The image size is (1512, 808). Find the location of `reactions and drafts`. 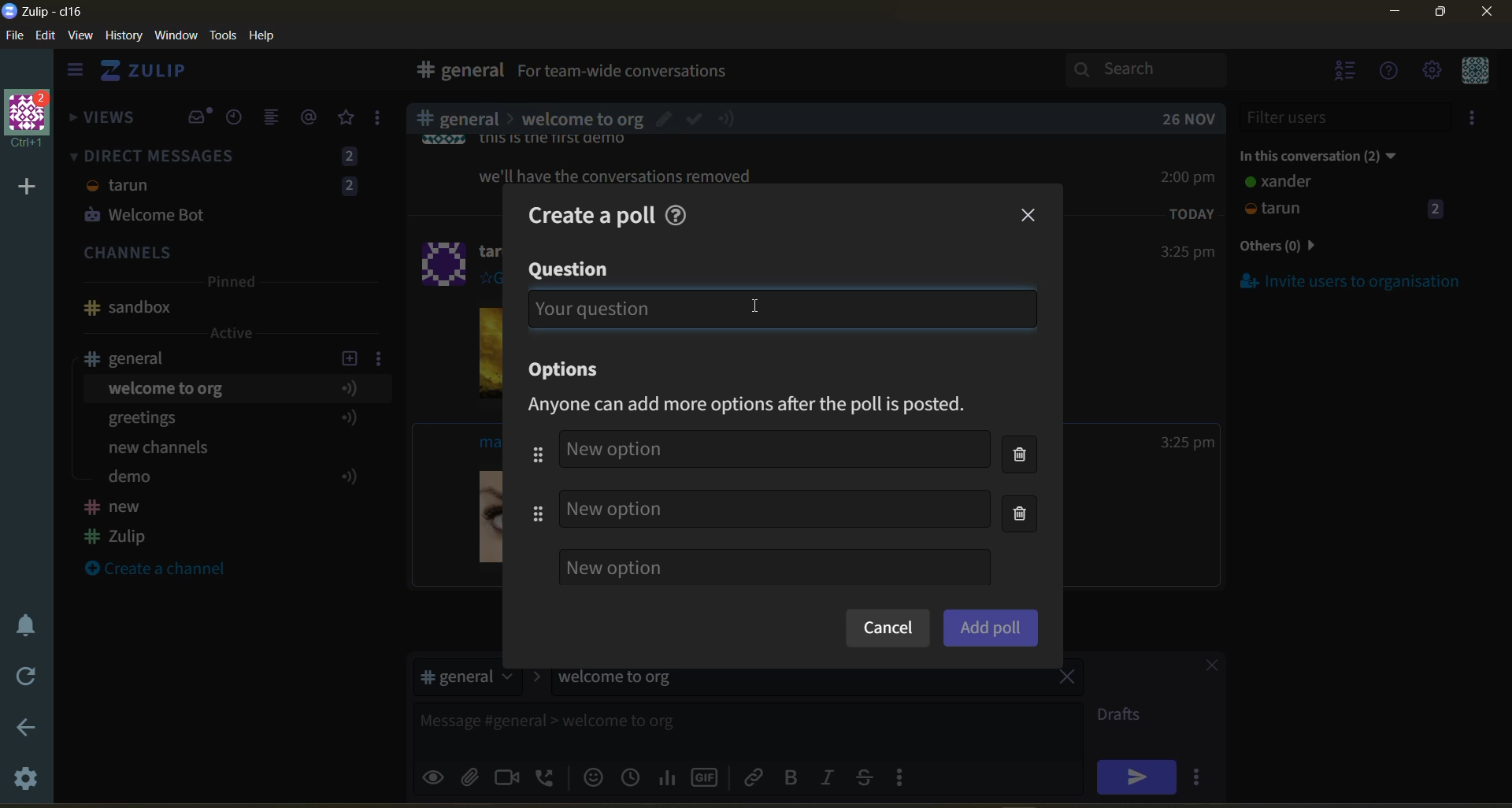

reactions and drafts is located at coordinates (384, 121).